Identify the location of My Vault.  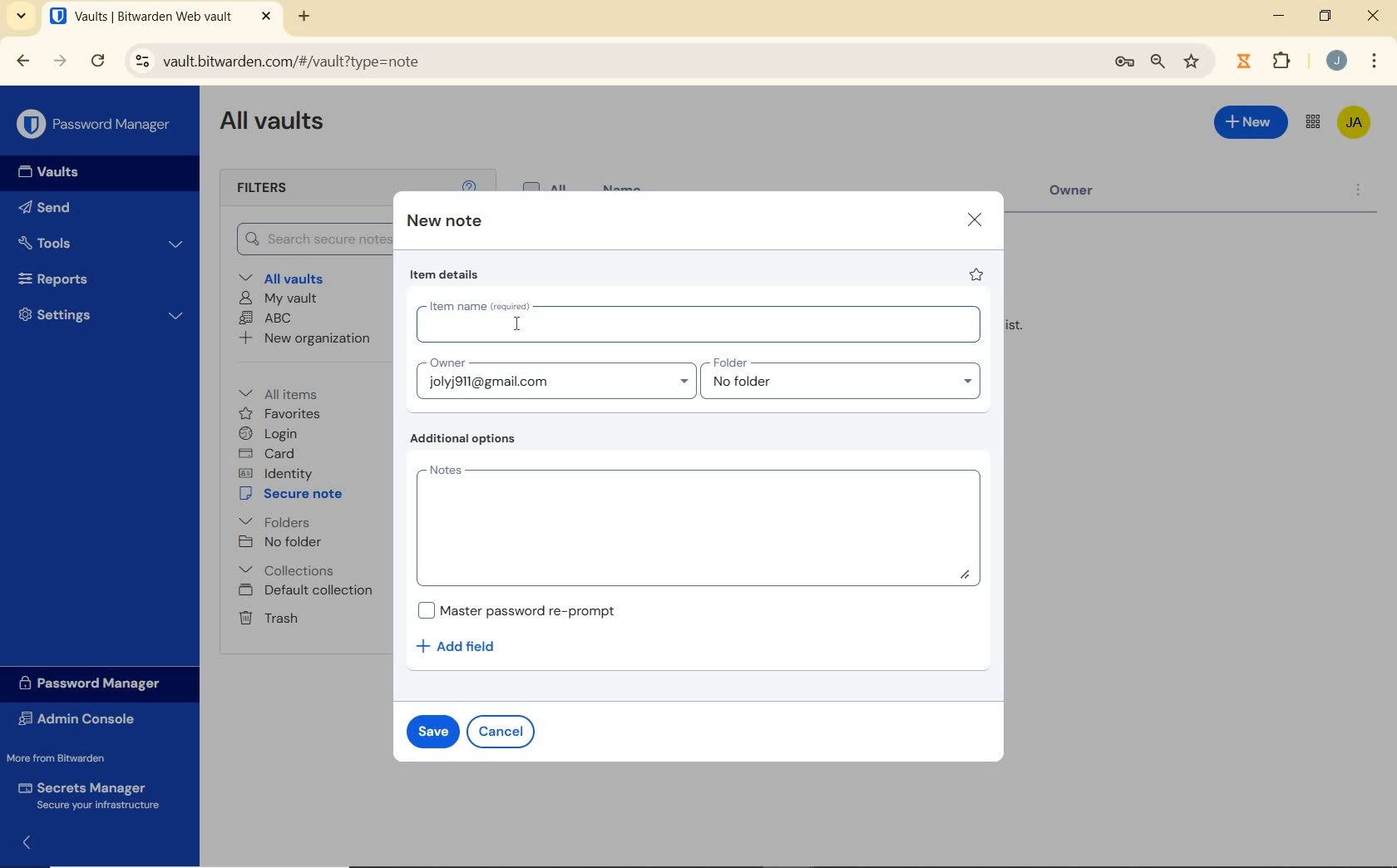
(278, 299).